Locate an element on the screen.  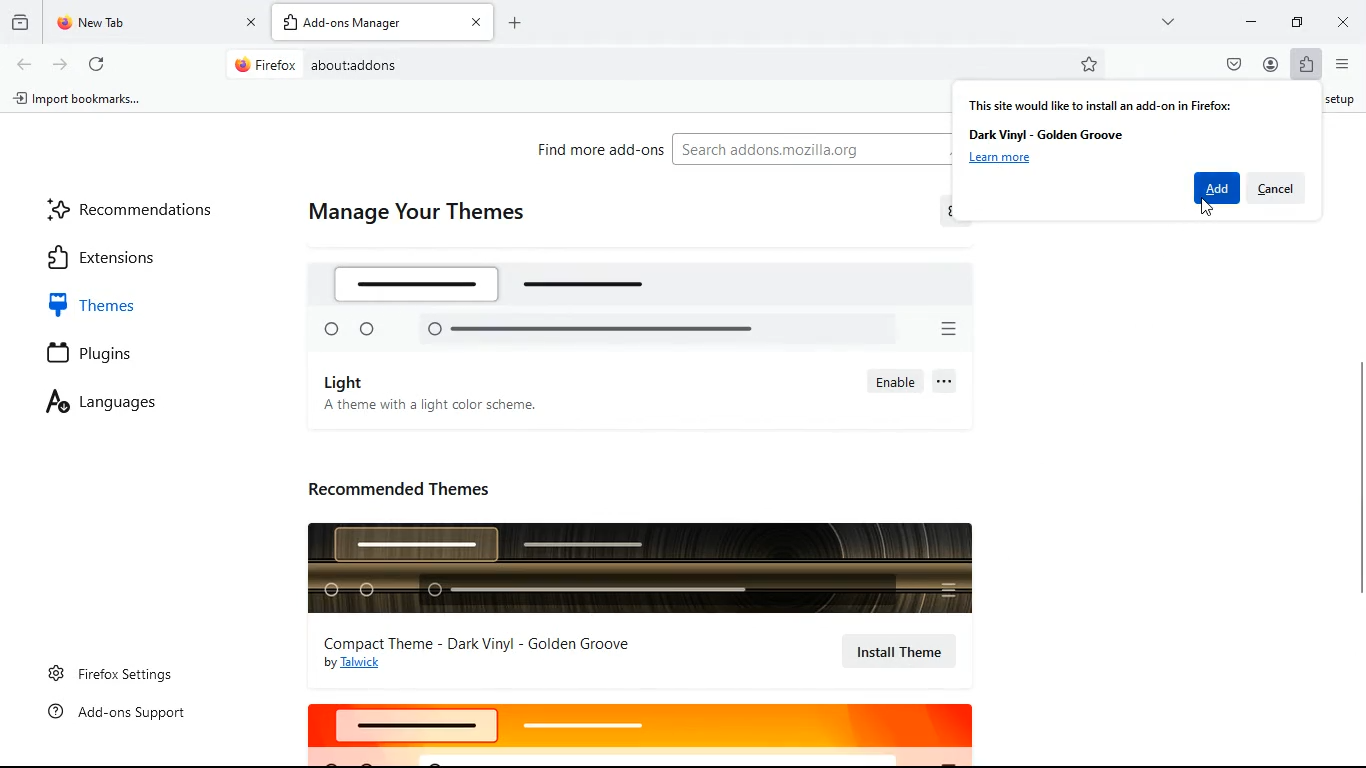
learn more is located at coordinates (1000, 159).